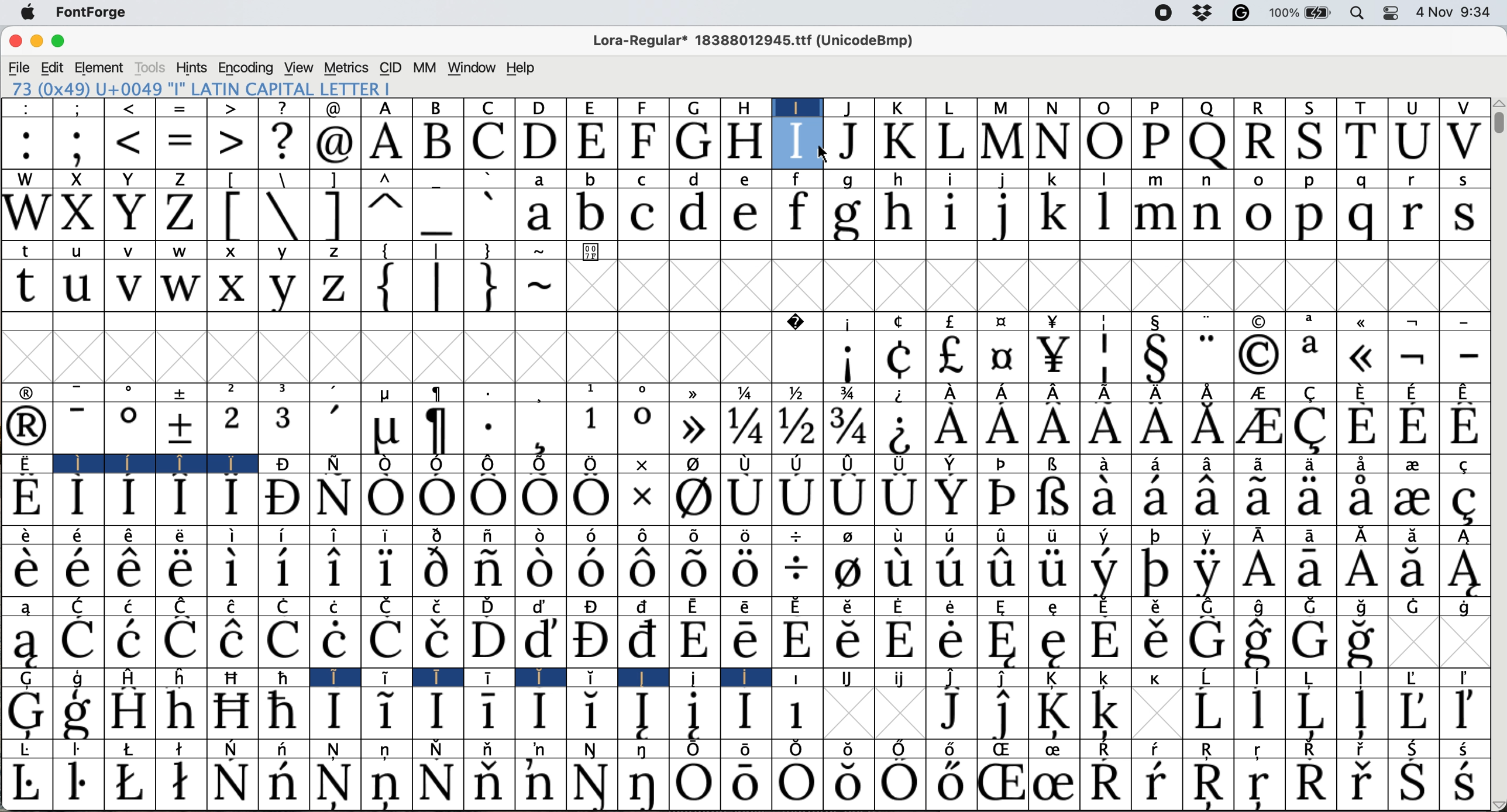 This screenshot has width=1507, height=812. What do you see at coordinates (699, 108) in the screenshot?
I see `G` at bounding box center [699, 108].